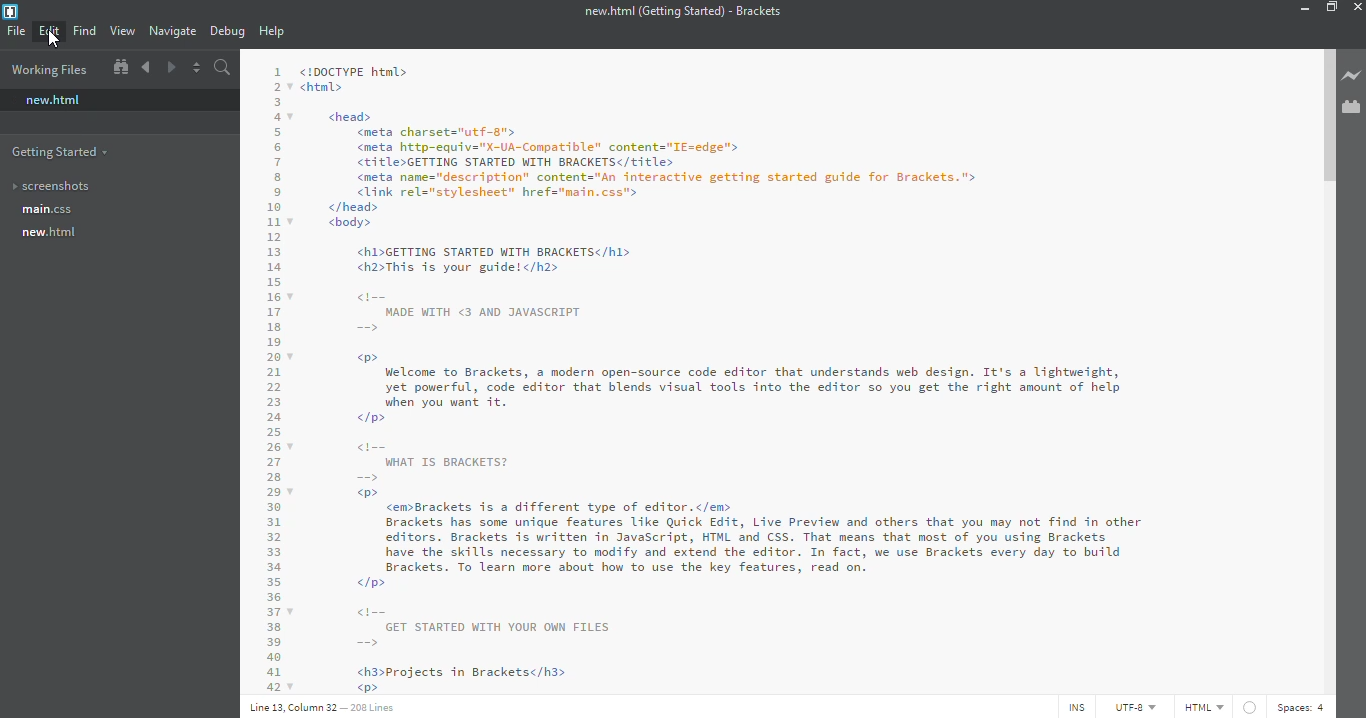  What do you see at coordinates (84, 31) in the screenshot?
I see `find` at bounding box center [84, 31].